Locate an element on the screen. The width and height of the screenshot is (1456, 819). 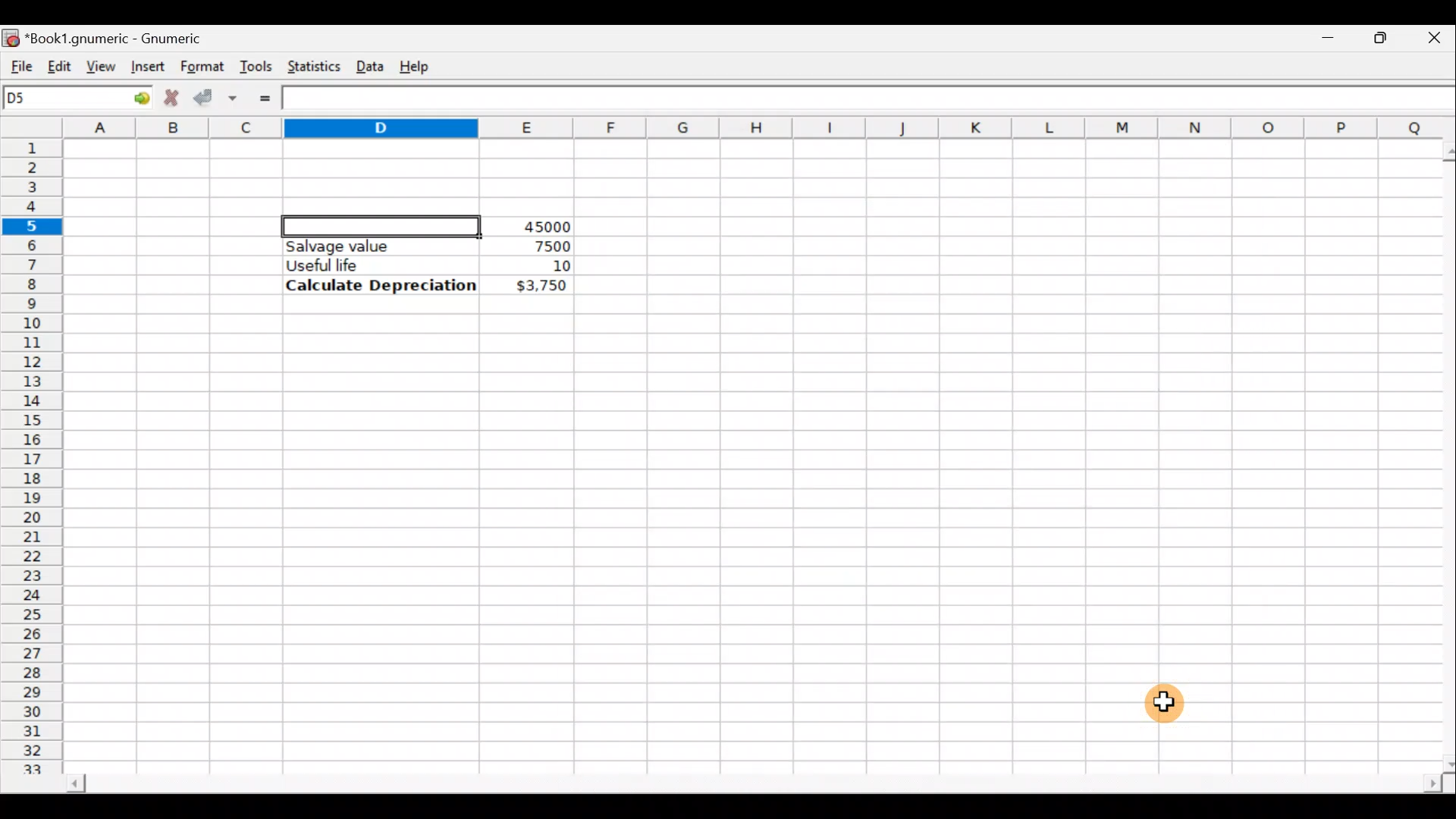
Formula bar is located at coordinates (873, 100).